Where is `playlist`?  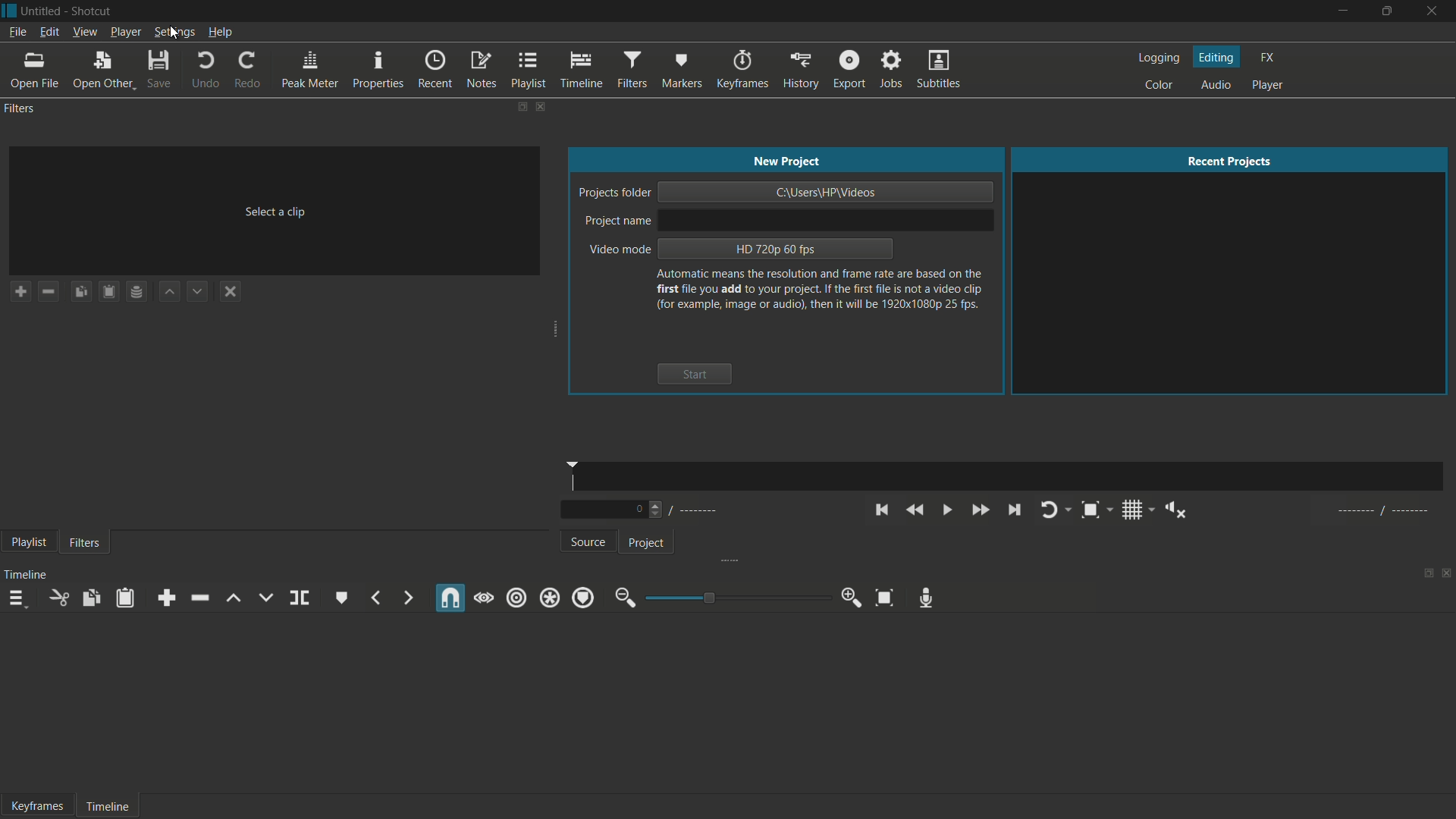
playlist is located at coordinates (27, 543).